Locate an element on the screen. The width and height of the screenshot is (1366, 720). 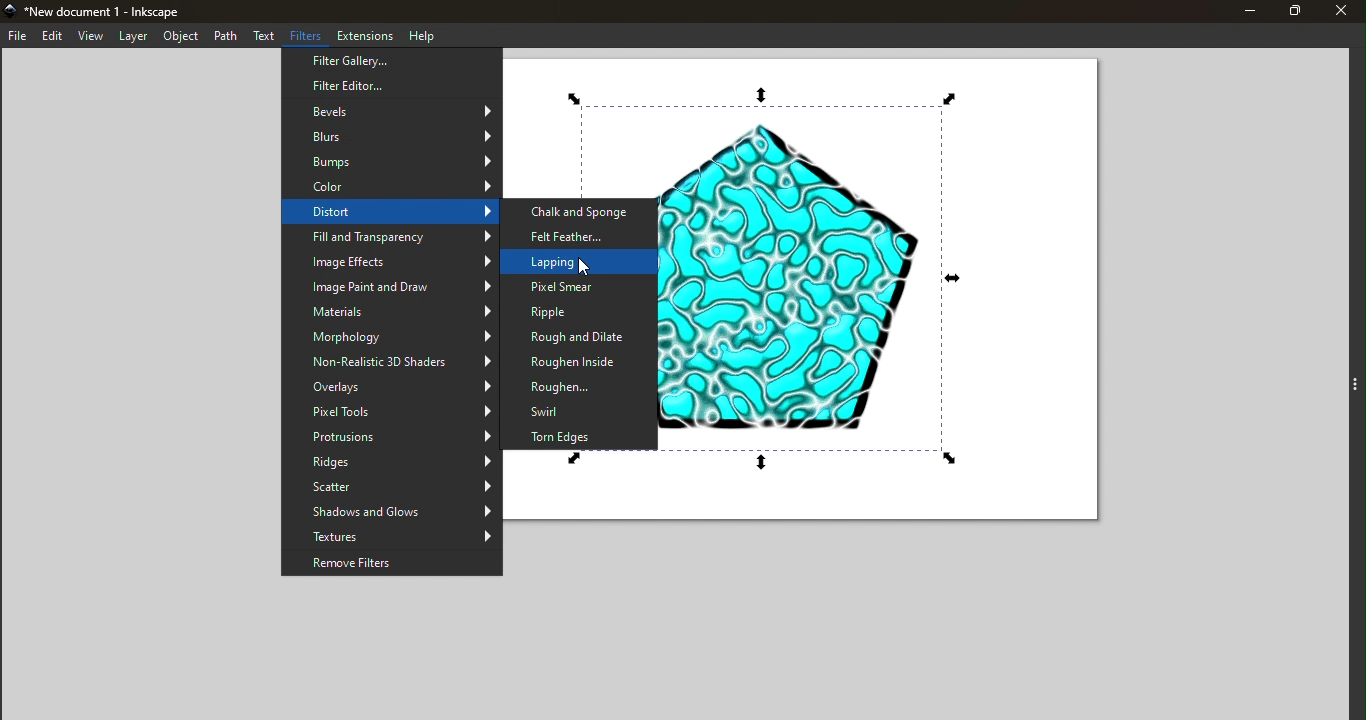
New document 1 - Inkscape is located at coordinates (116, 10).